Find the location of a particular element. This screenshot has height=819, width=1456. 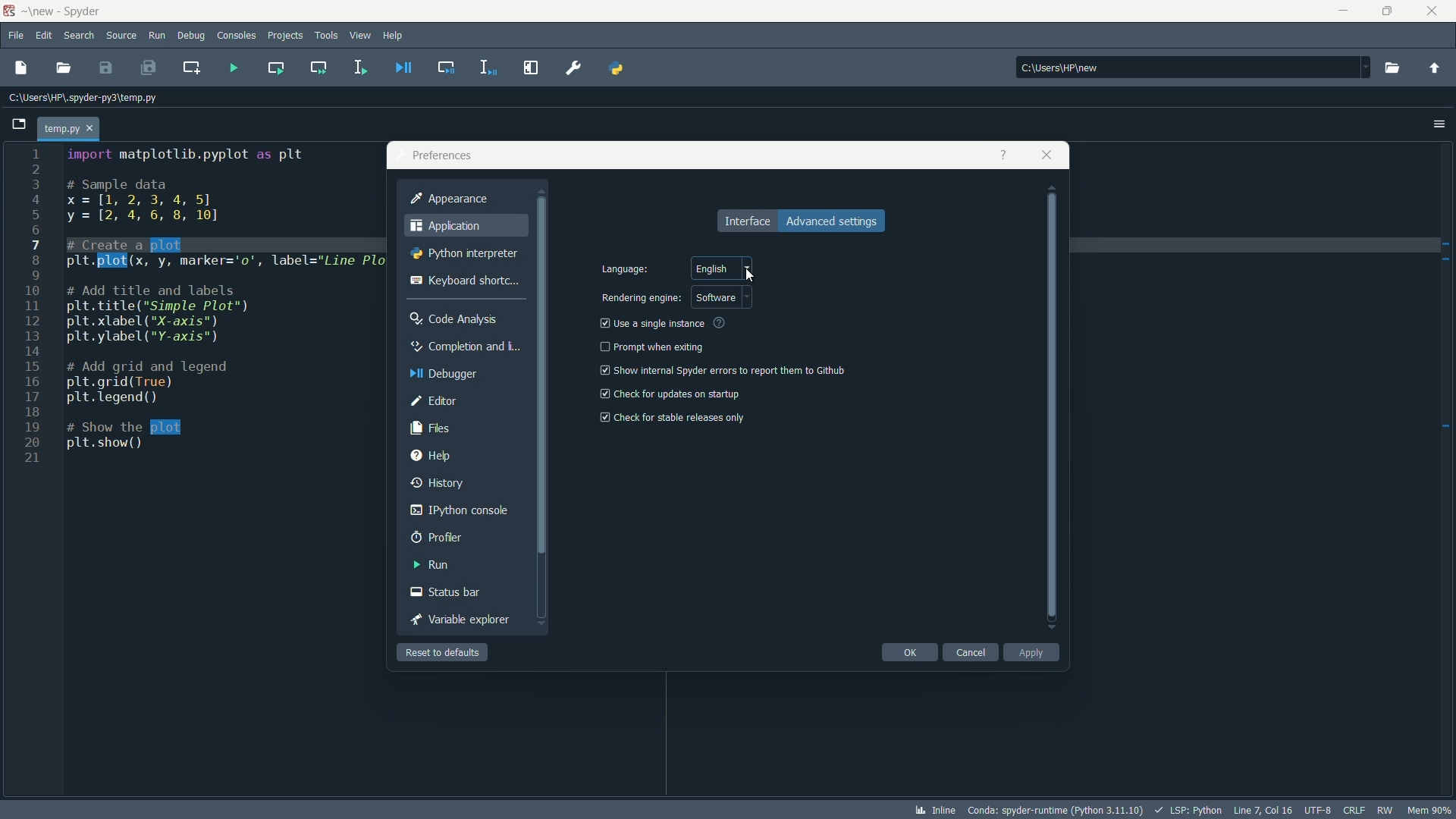

cursor is located at coordinates (752, 276).